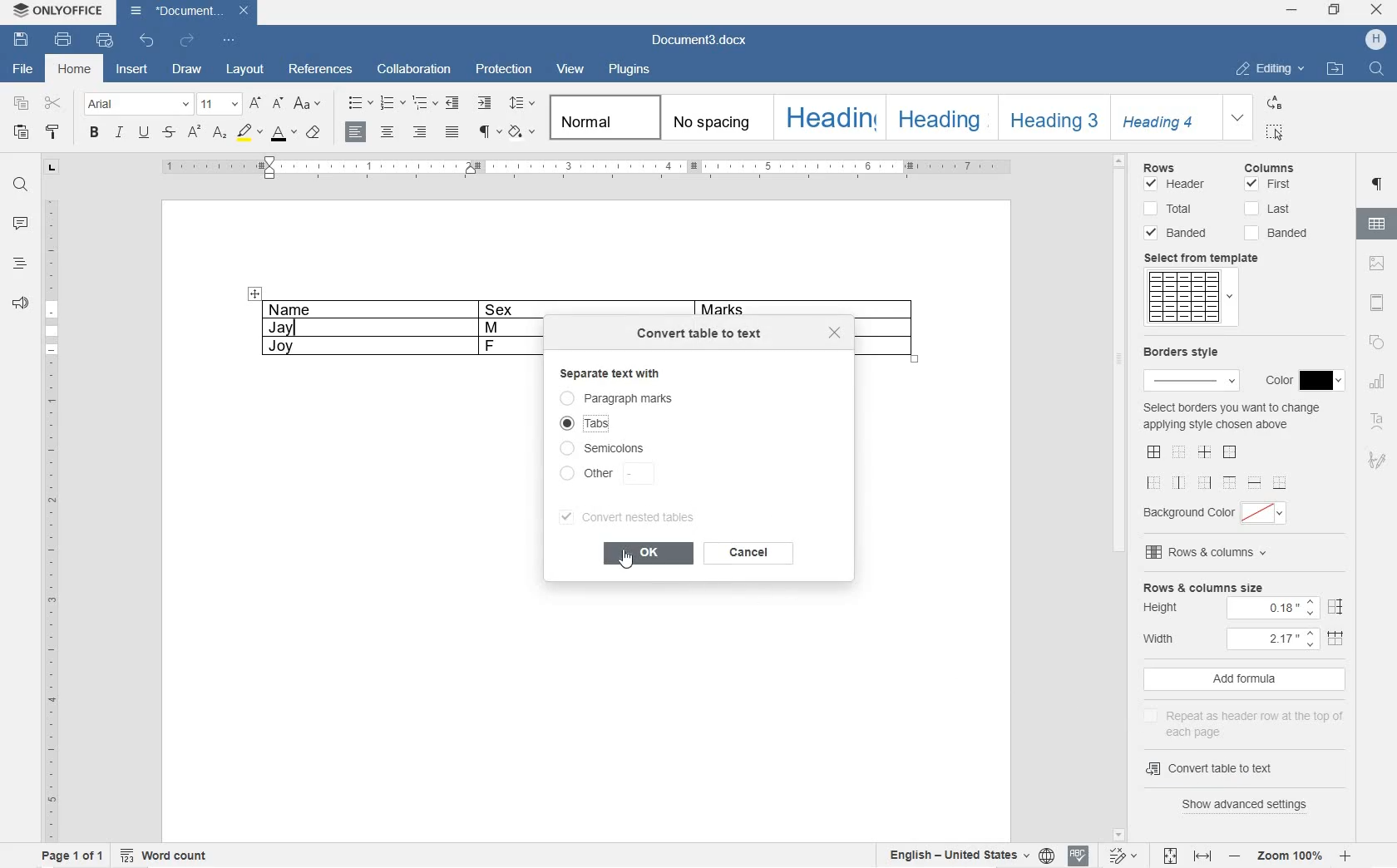 The image size is (1397, 868). What do you see at coordinates (631, 70) in the screenshot?
I see `PLUGINS` at bounding box center [631, 70].